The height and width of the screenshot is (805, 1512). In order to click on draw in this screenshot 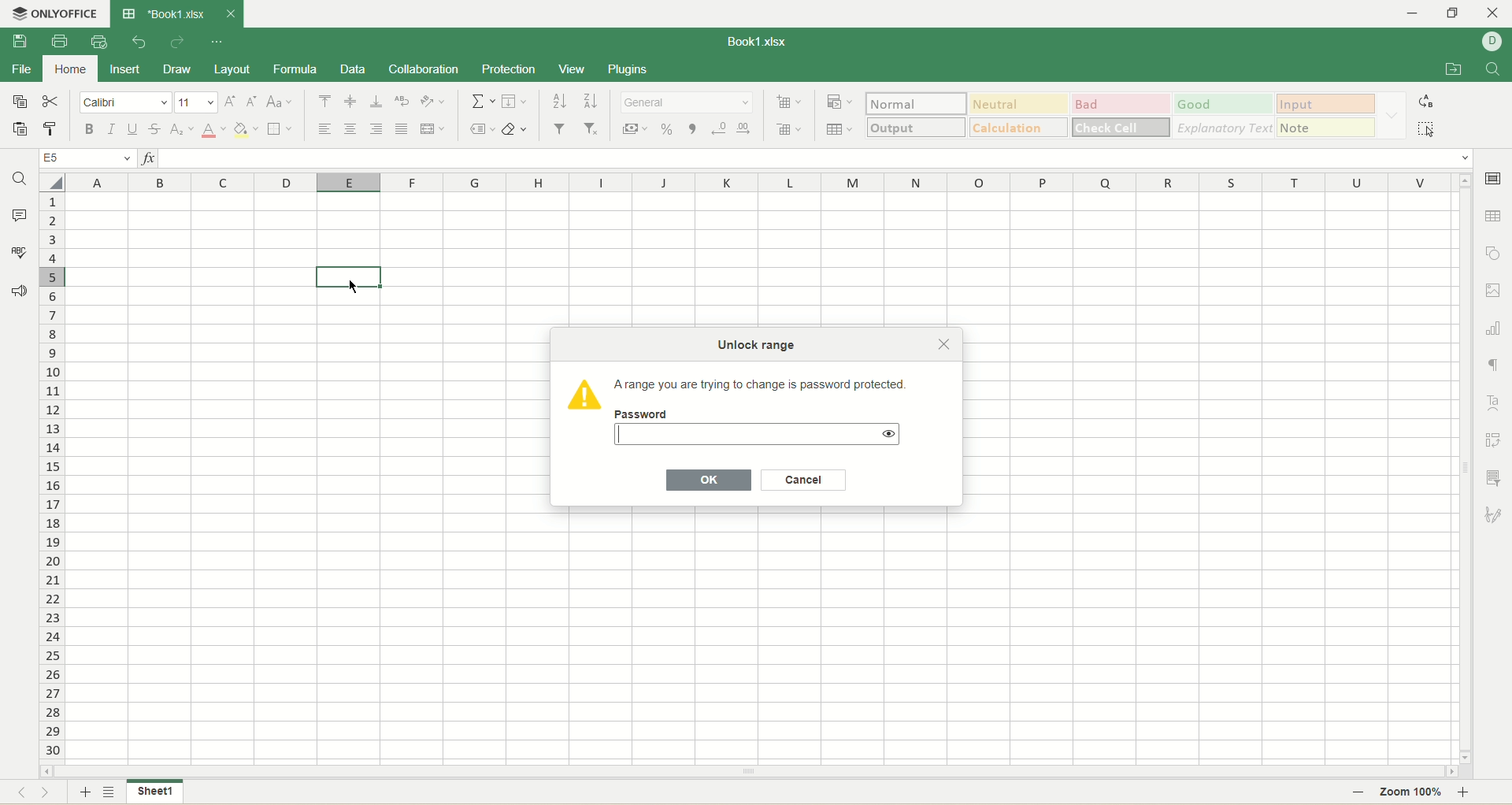, I will do `click(182, 70)`.